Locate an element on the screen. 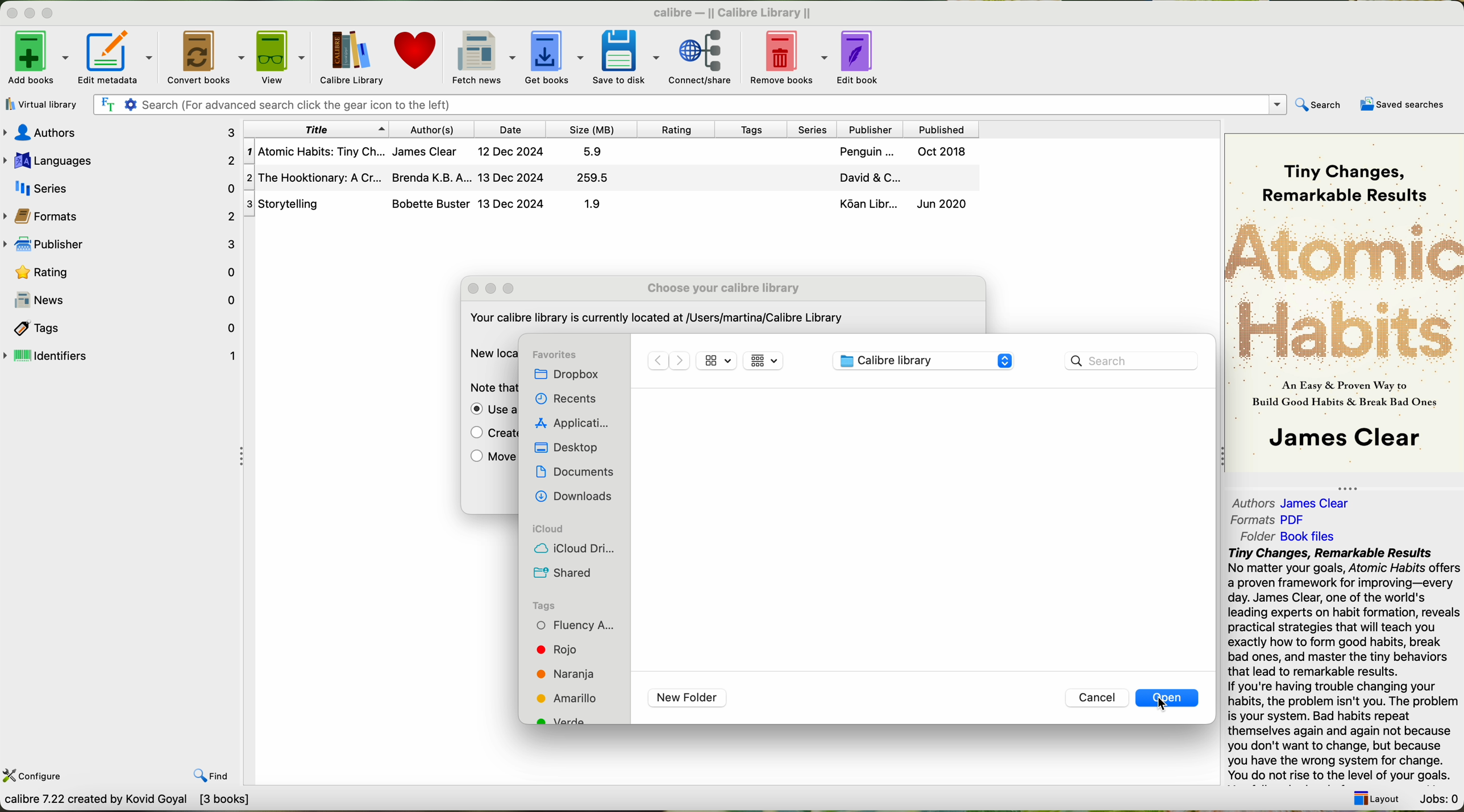 The width and height of the screenshot is (1464, 812). donate is located at coordinates (414, 53).